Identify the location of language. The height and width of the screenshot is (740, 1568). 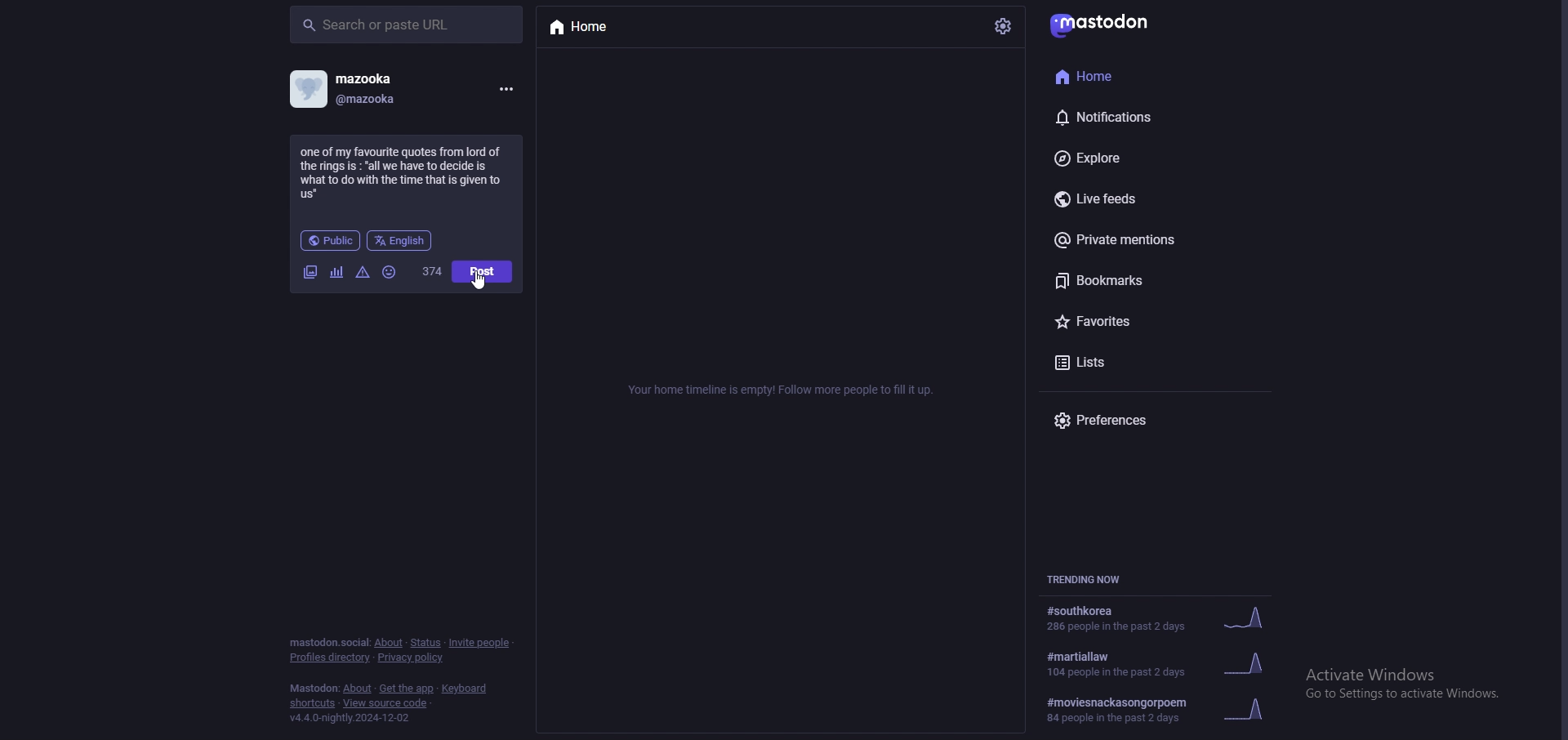
(400, 241).